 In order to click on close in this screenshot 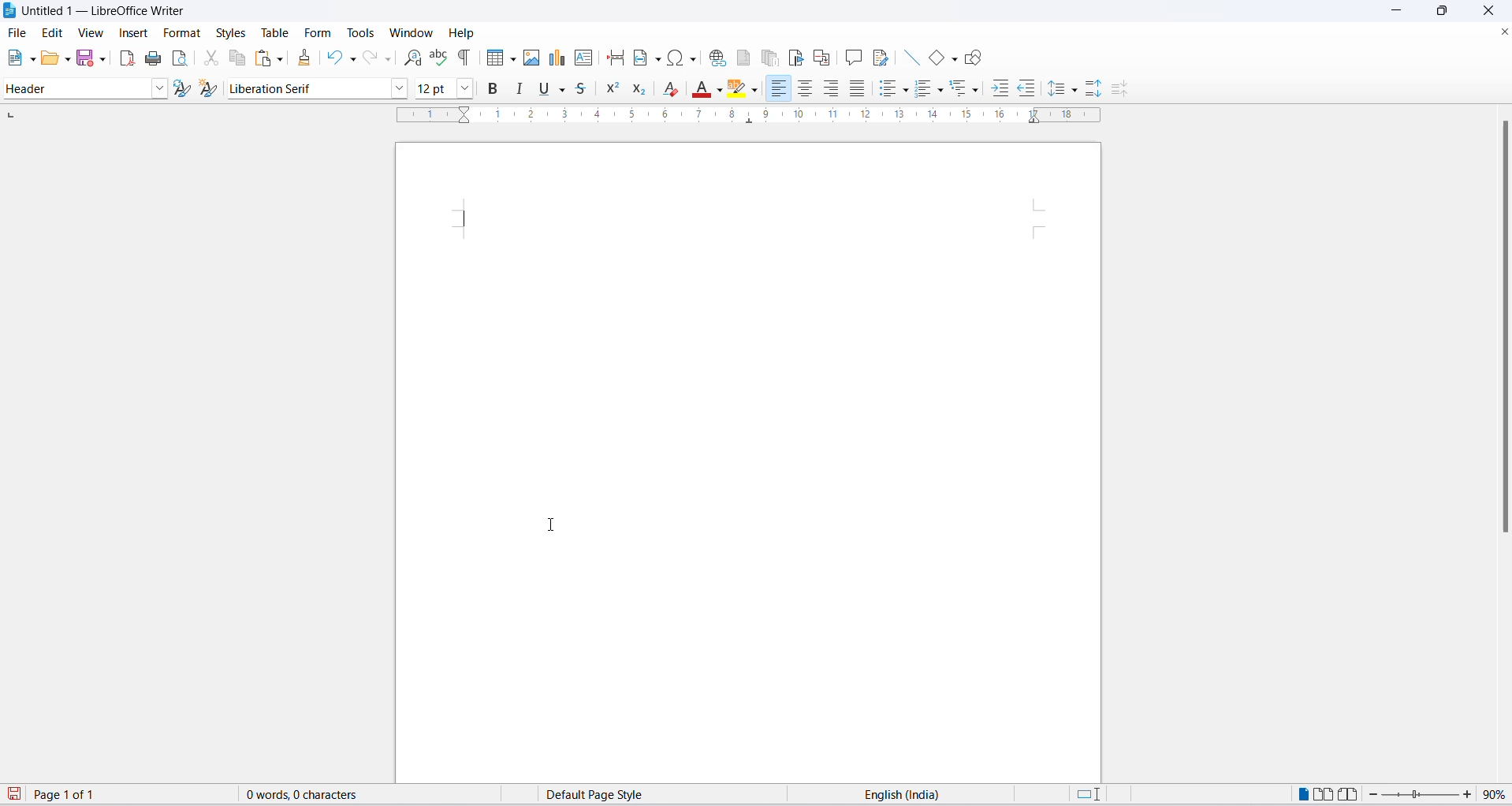, I will do `click(1503, 29)`.